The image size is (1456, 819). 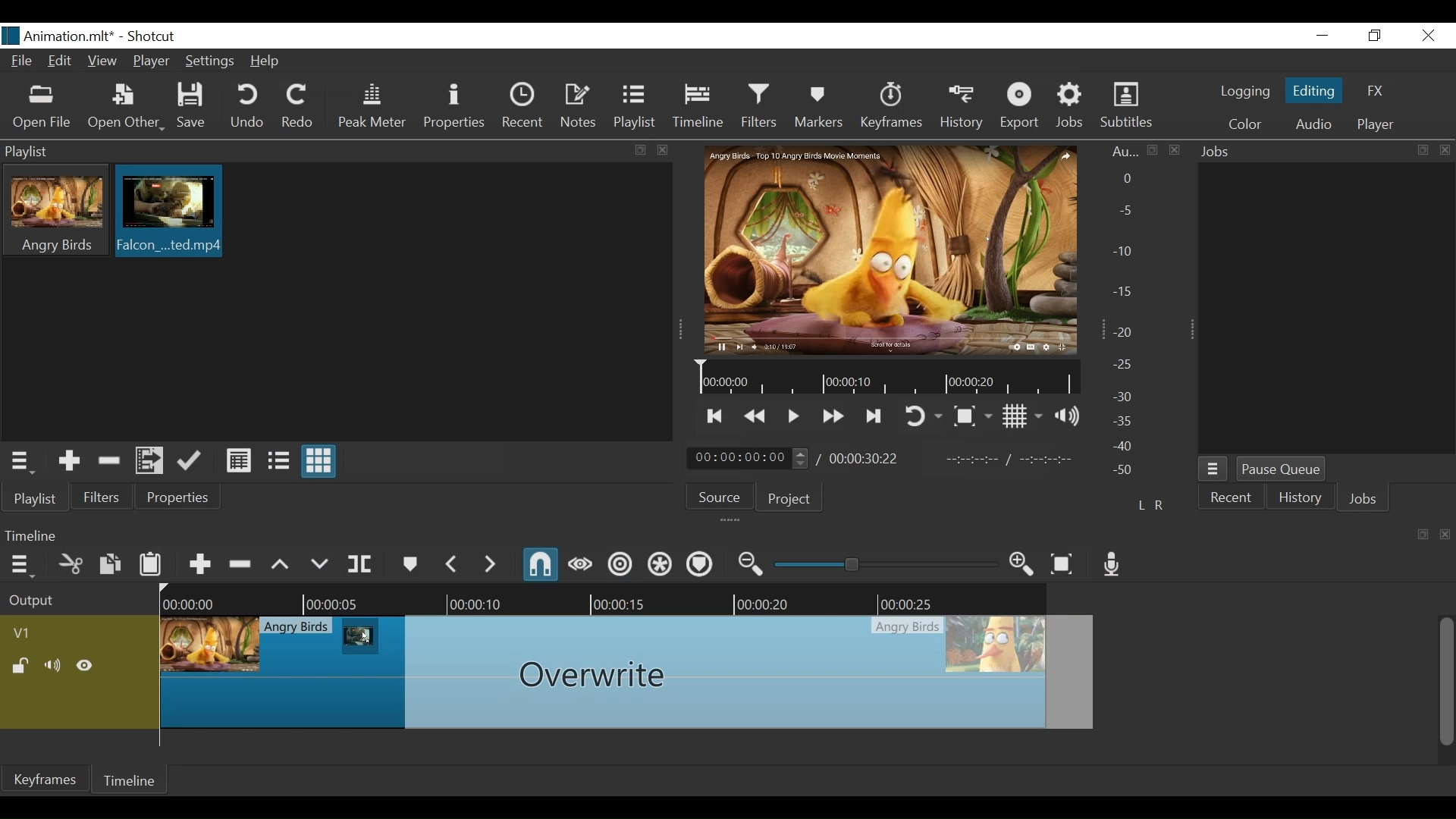 I want to click on Restore, so click(x=1375, y=36).